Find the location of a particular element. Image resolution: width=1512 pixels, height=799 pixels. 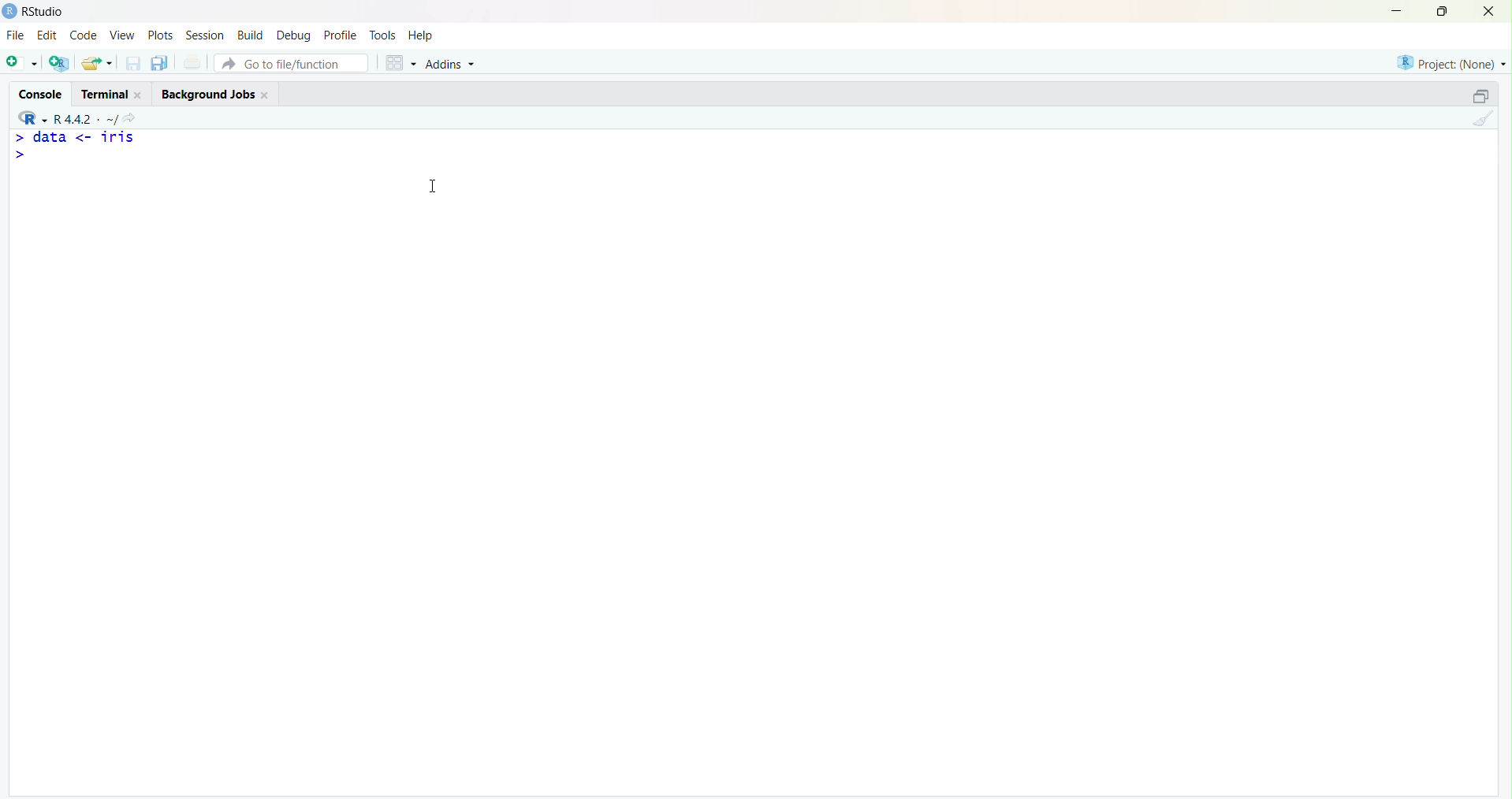

Help is located at coordinates (422, 36).